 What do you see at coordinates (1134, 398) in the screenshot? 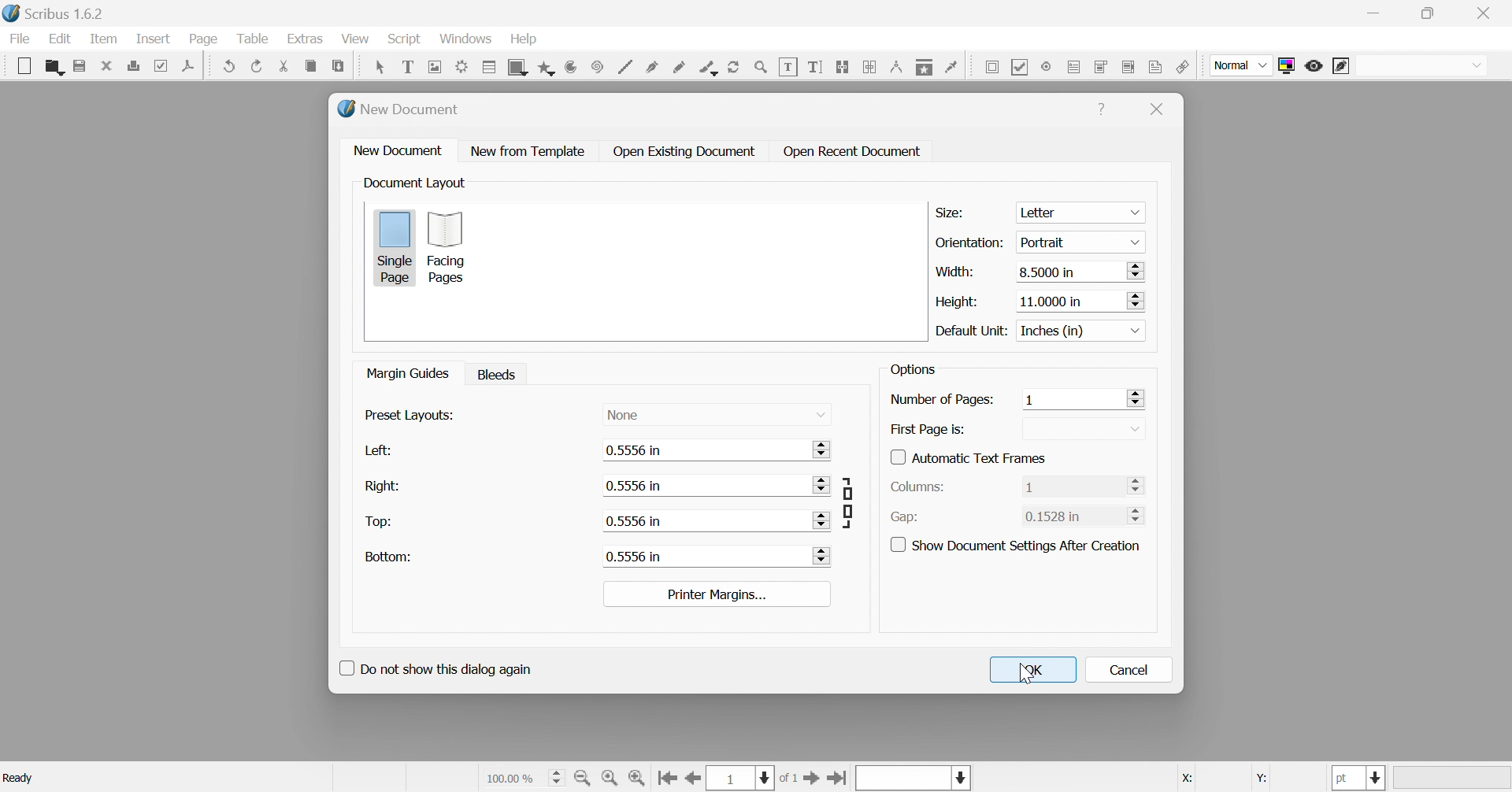
I see `slider` at bounding box center [1134, 398].